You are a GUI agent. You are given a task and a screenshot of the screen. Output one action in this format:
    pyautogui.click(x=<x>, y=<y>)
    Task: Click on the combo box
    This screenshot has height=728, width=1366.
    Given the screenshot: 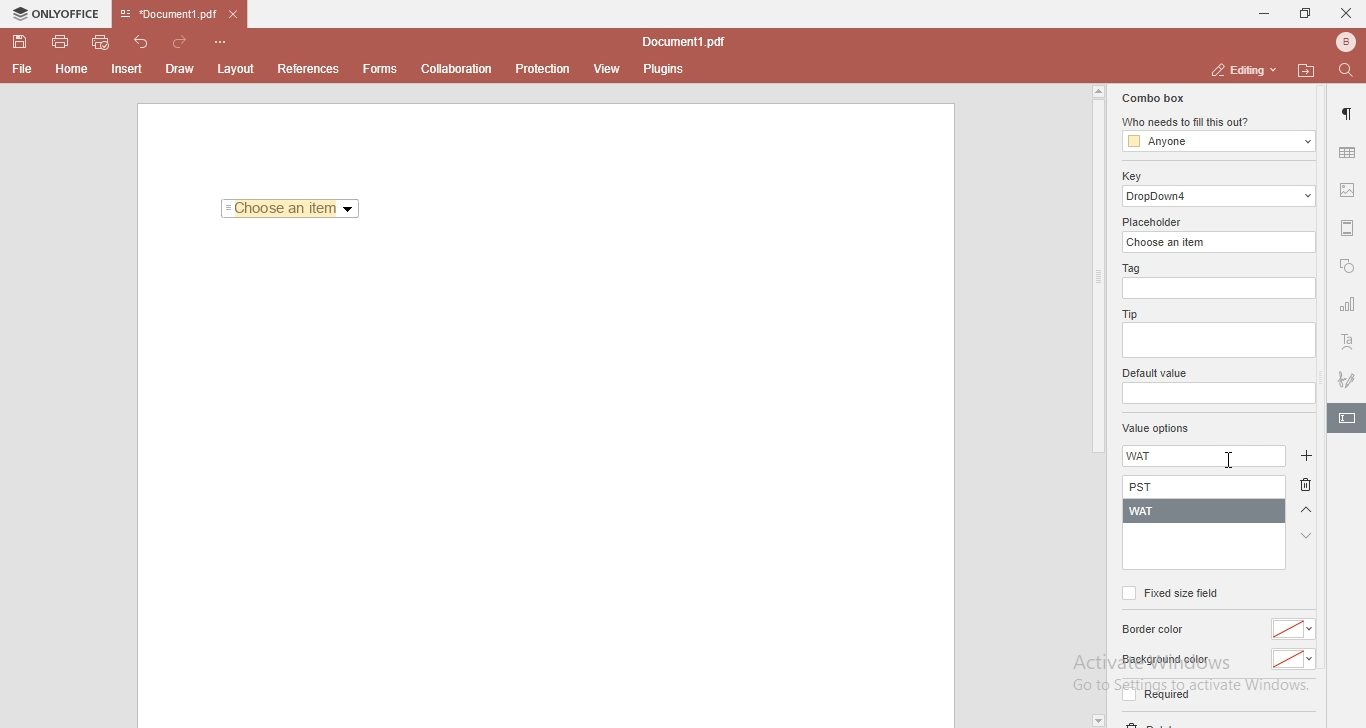 What is the action you would take?
    pyautogui.click(x=1151, y=98)
    